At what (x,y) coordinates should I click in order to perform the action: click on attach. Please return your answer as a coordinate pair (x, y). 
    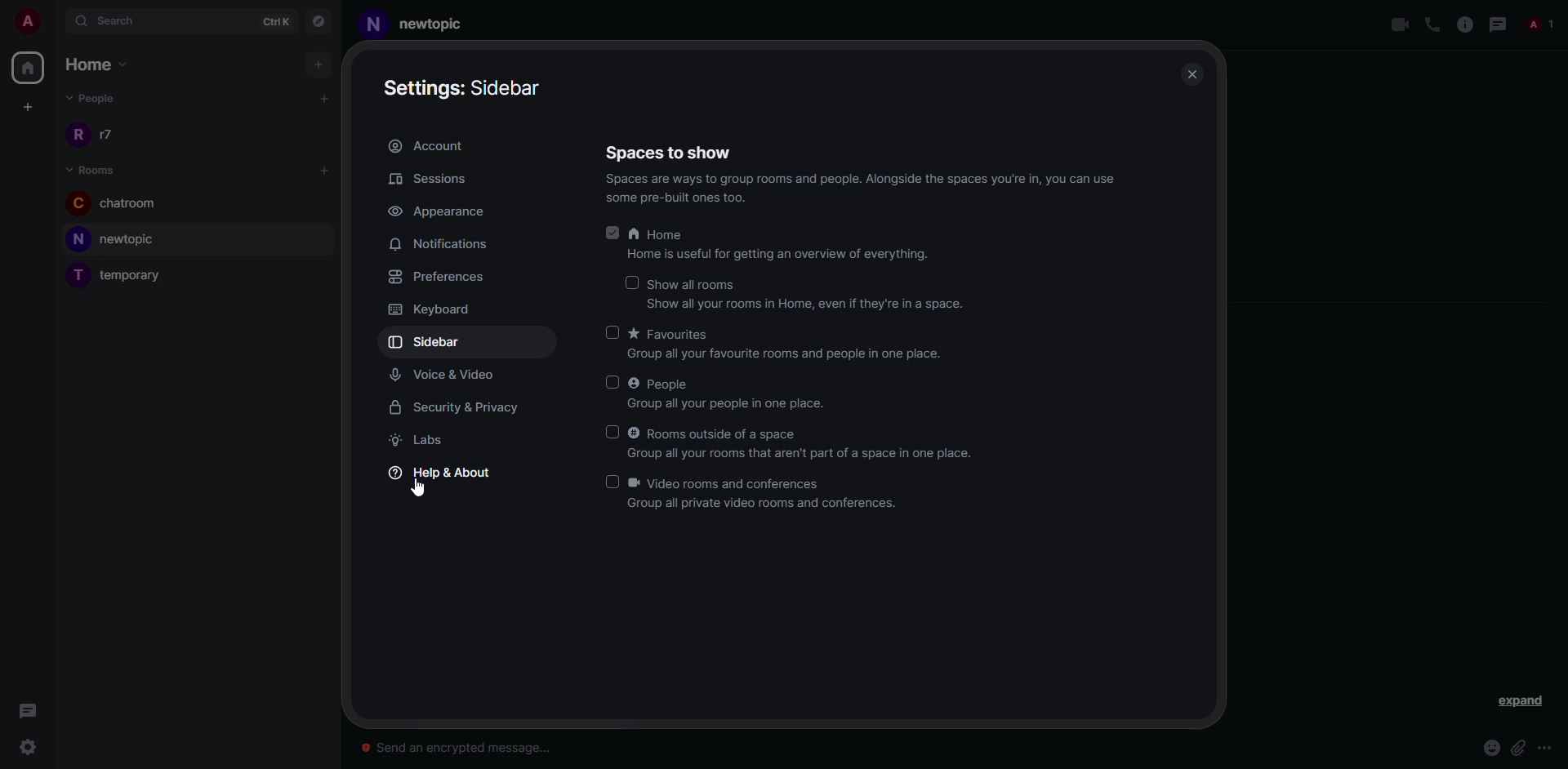
    Looking at the image, I should click on (1517, 748).